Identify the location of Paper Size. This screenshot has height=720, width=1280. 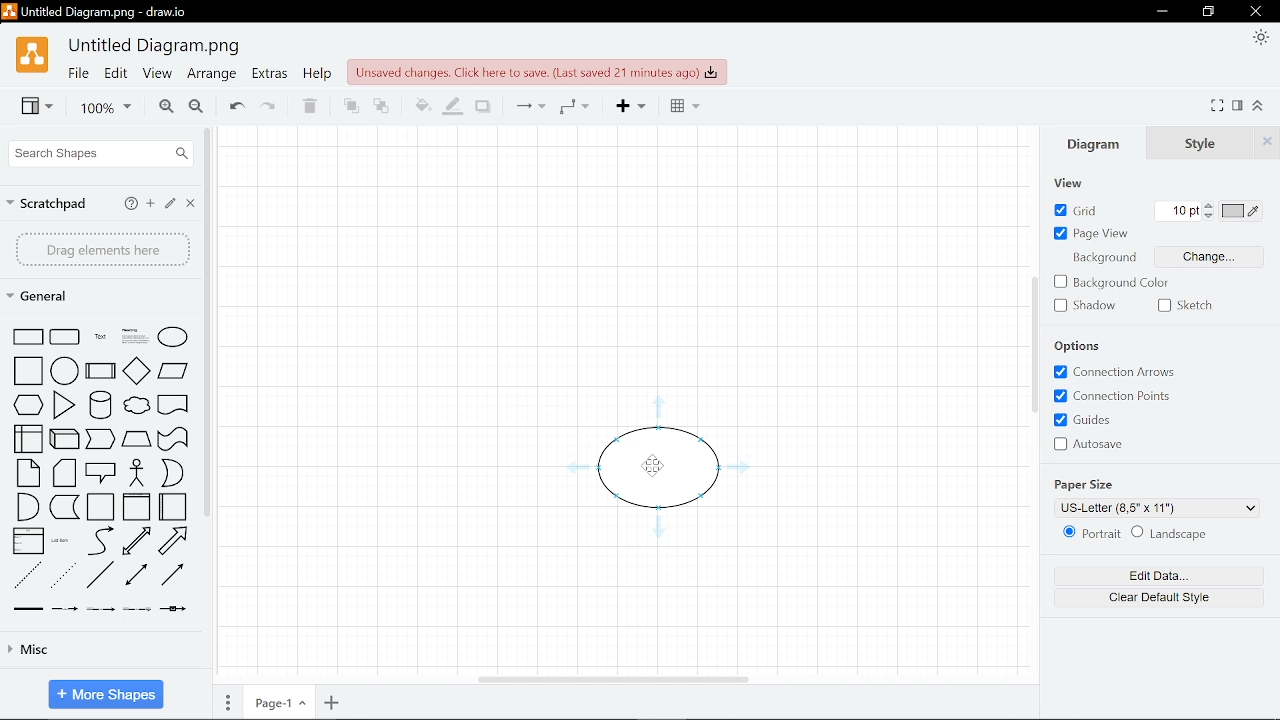
(1085, 484).